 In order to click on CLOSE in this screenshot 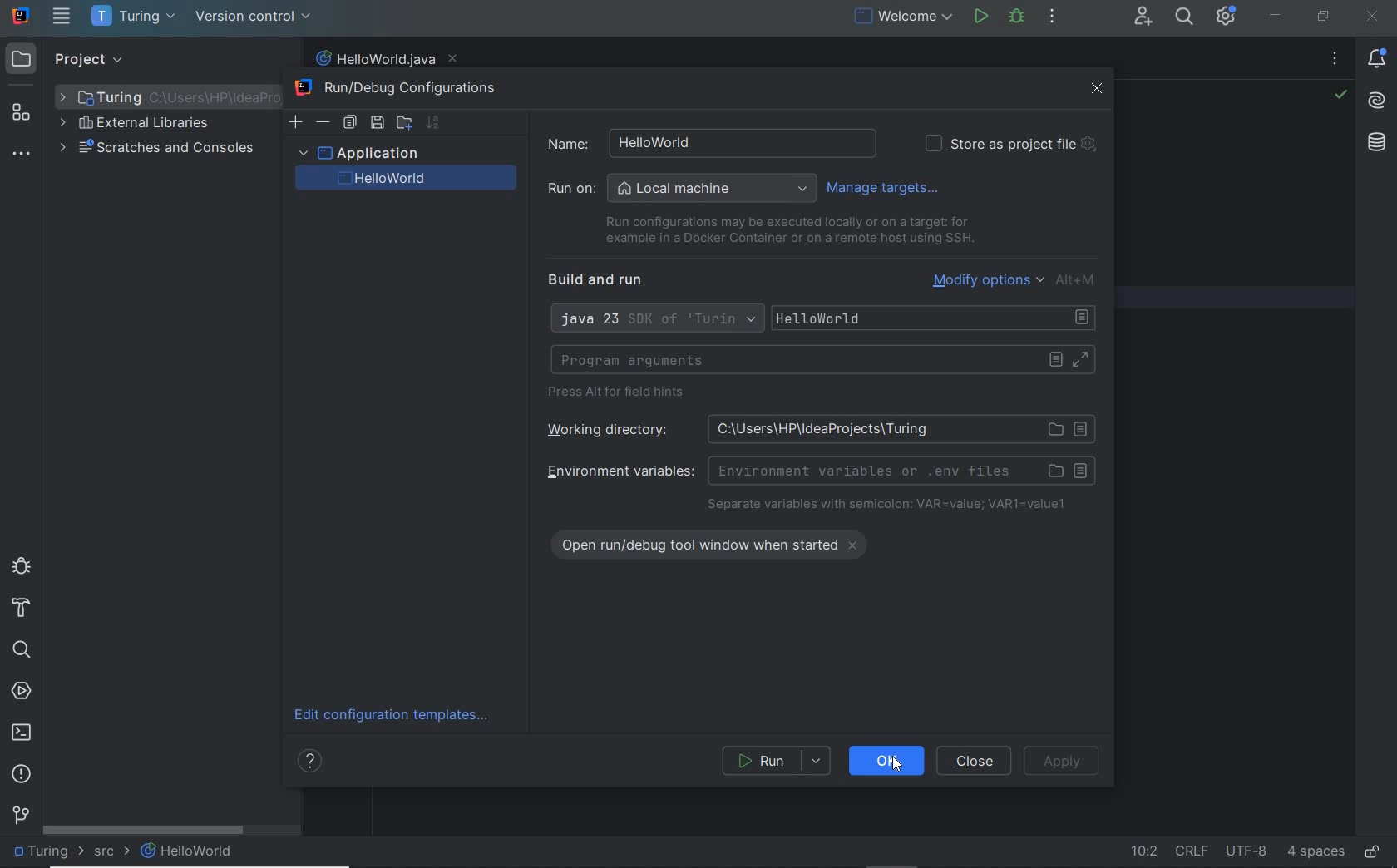, I will do `click(1373, 17)`.